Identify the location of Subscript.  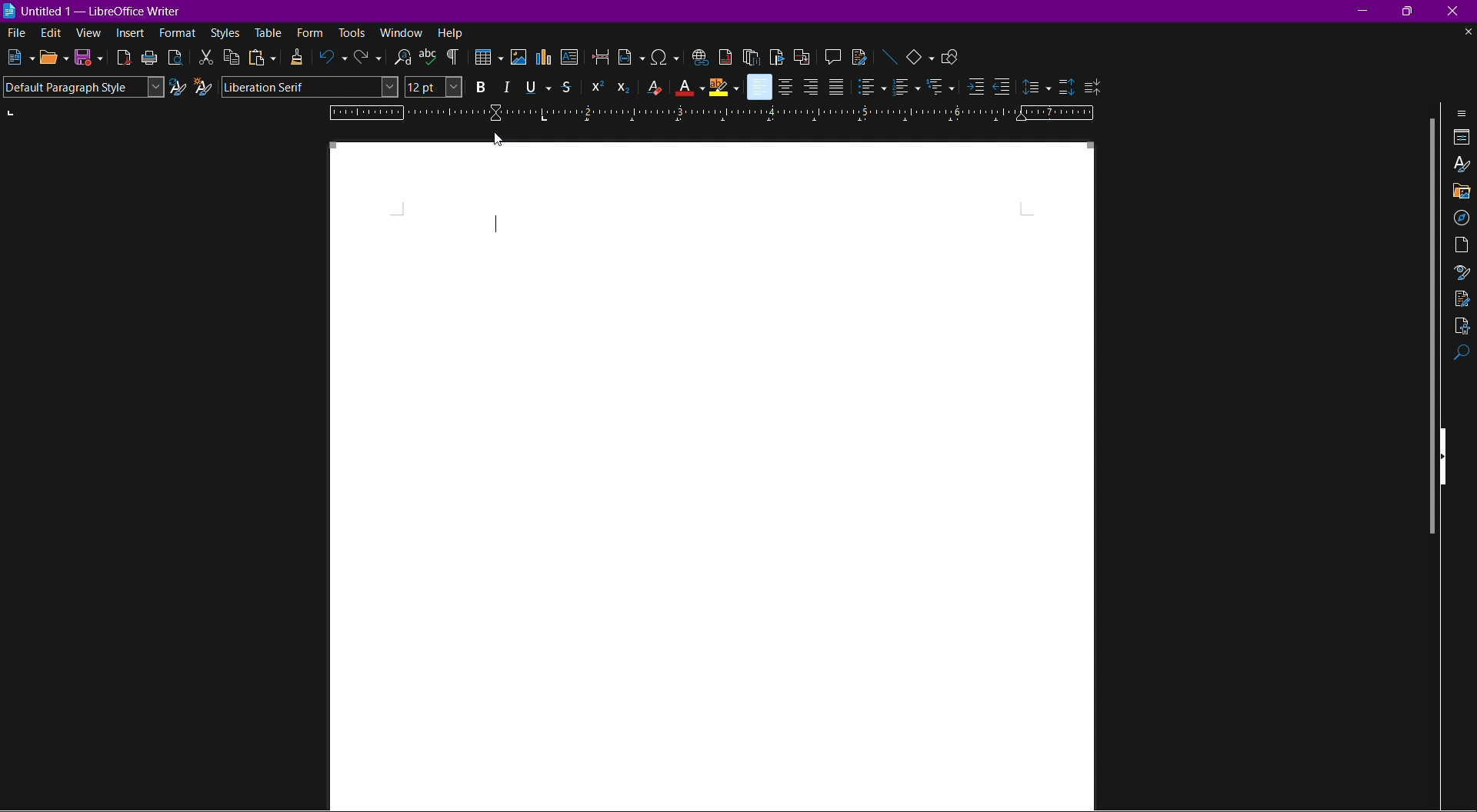
(624, 87).